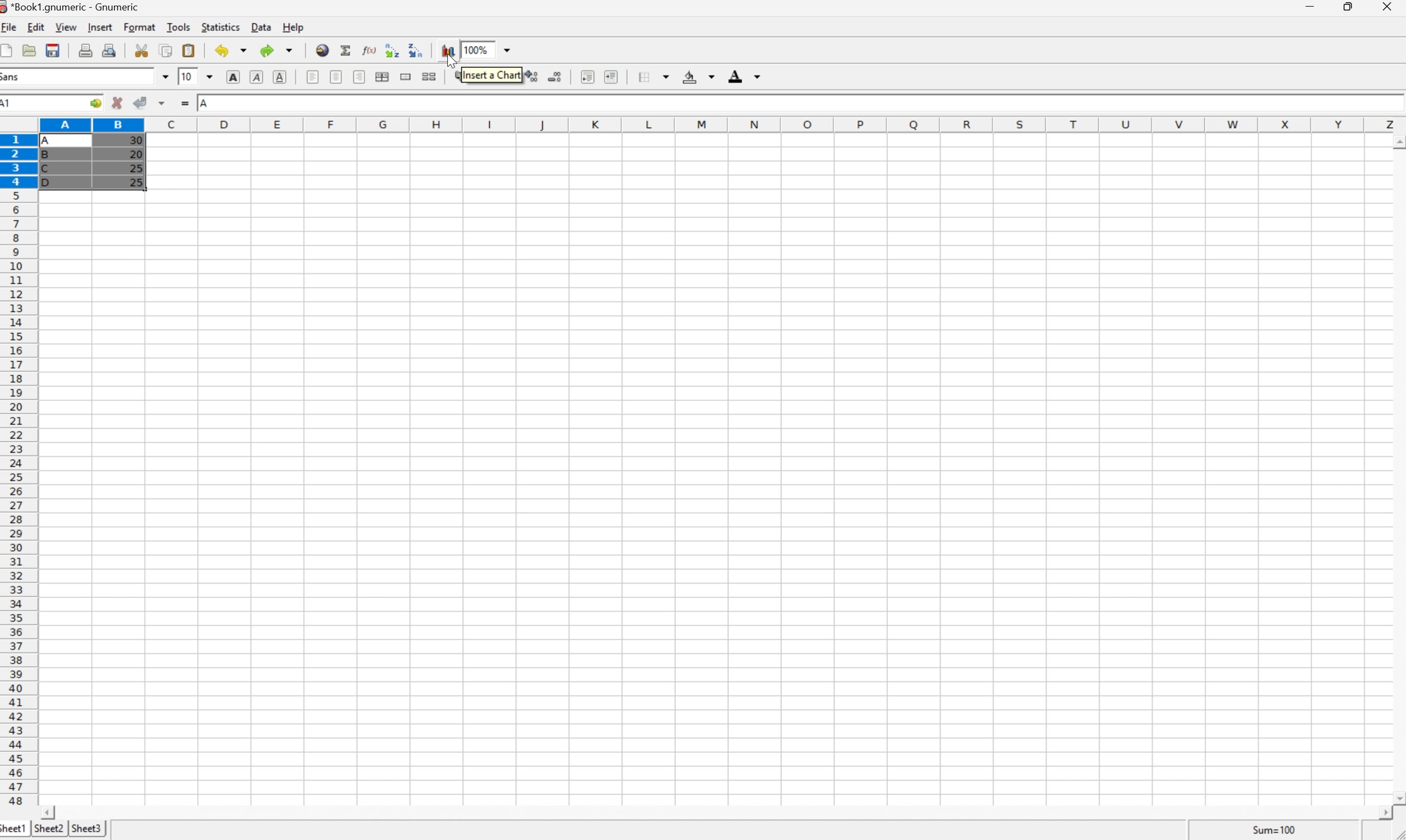 This screenshot has height=840, width=1406. Describe the element at coordinates (746, 76) in the screenshot. I see `Foreground` at that location.